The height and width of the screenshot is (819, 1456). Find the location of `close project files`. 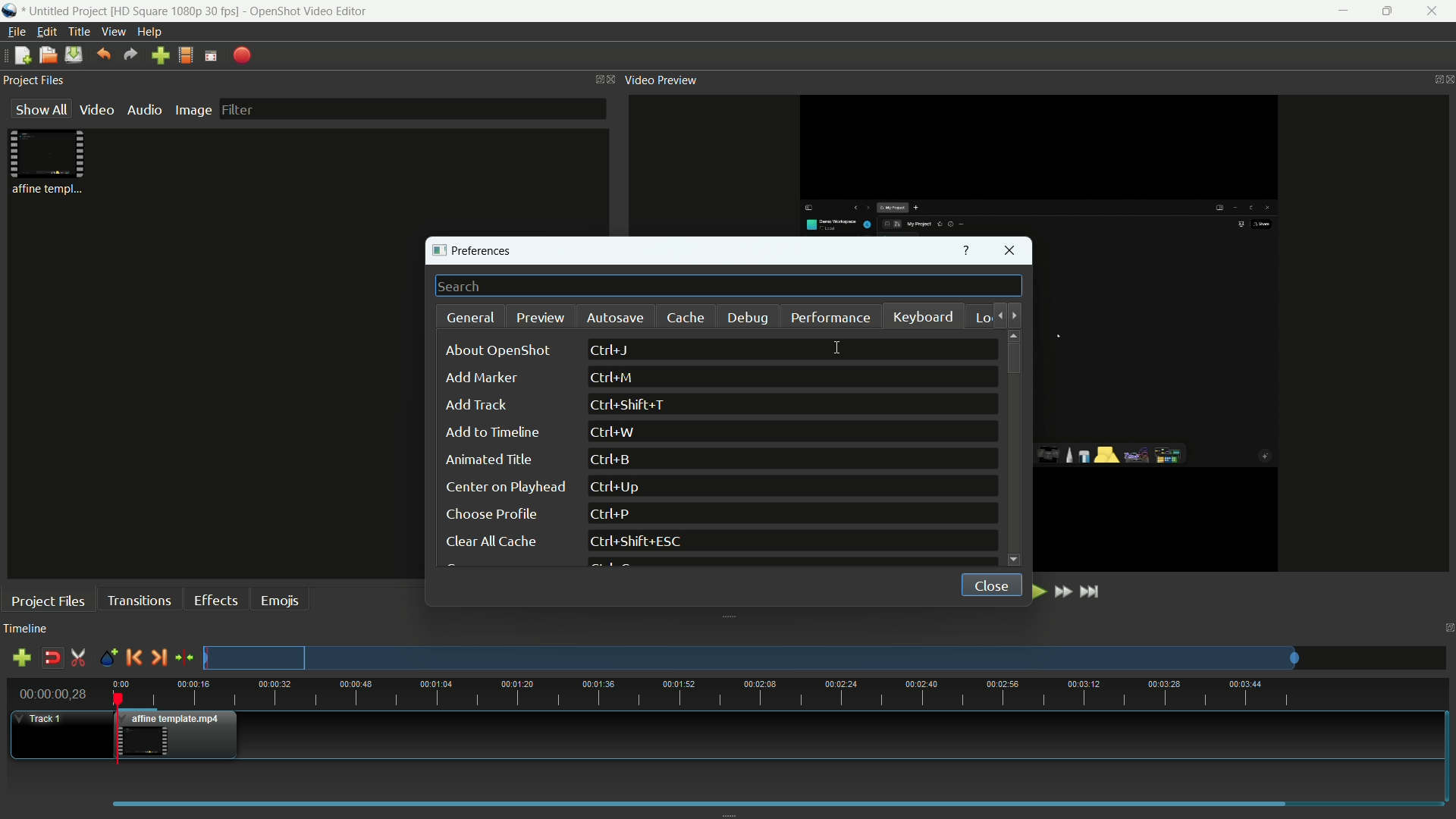

close project files is located at coordinates (608, 80).